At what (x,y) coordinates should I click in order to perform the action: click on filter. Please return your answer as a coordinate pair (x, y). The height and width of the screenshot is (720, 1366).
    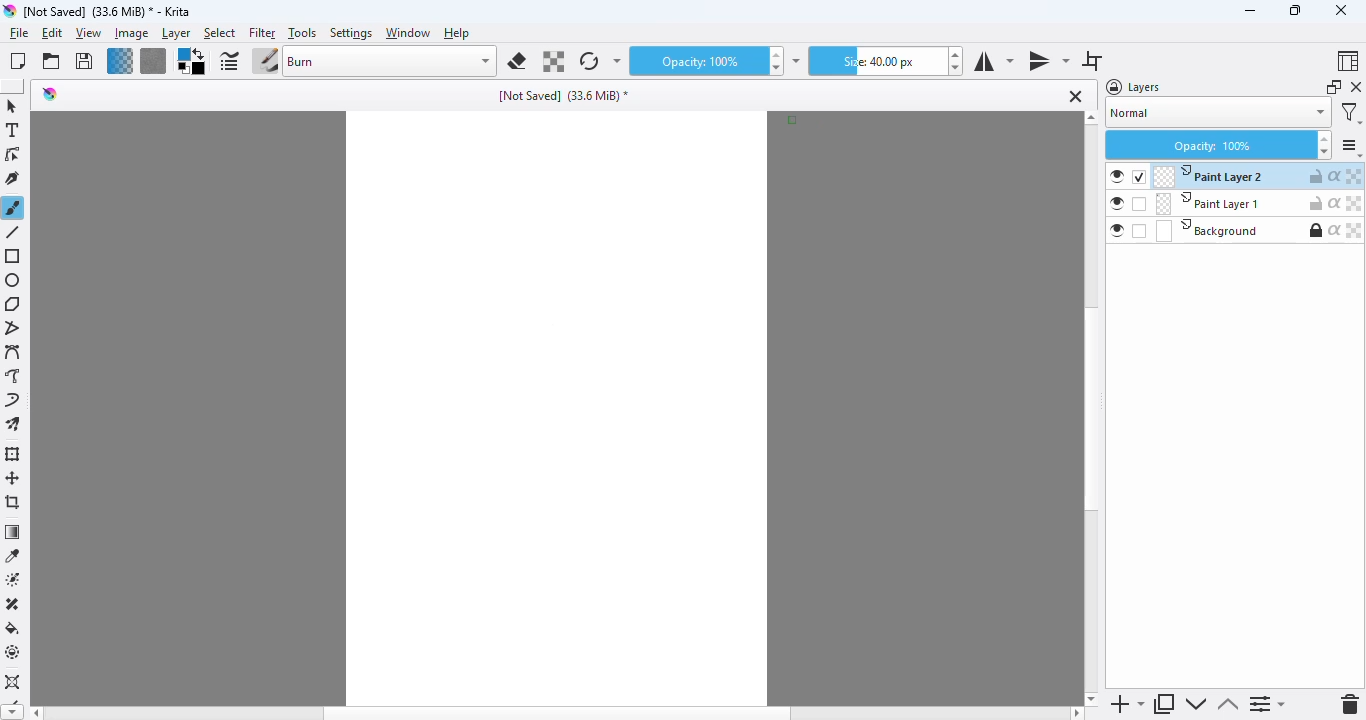
    Looking at the image, I should click on (1351, 113).